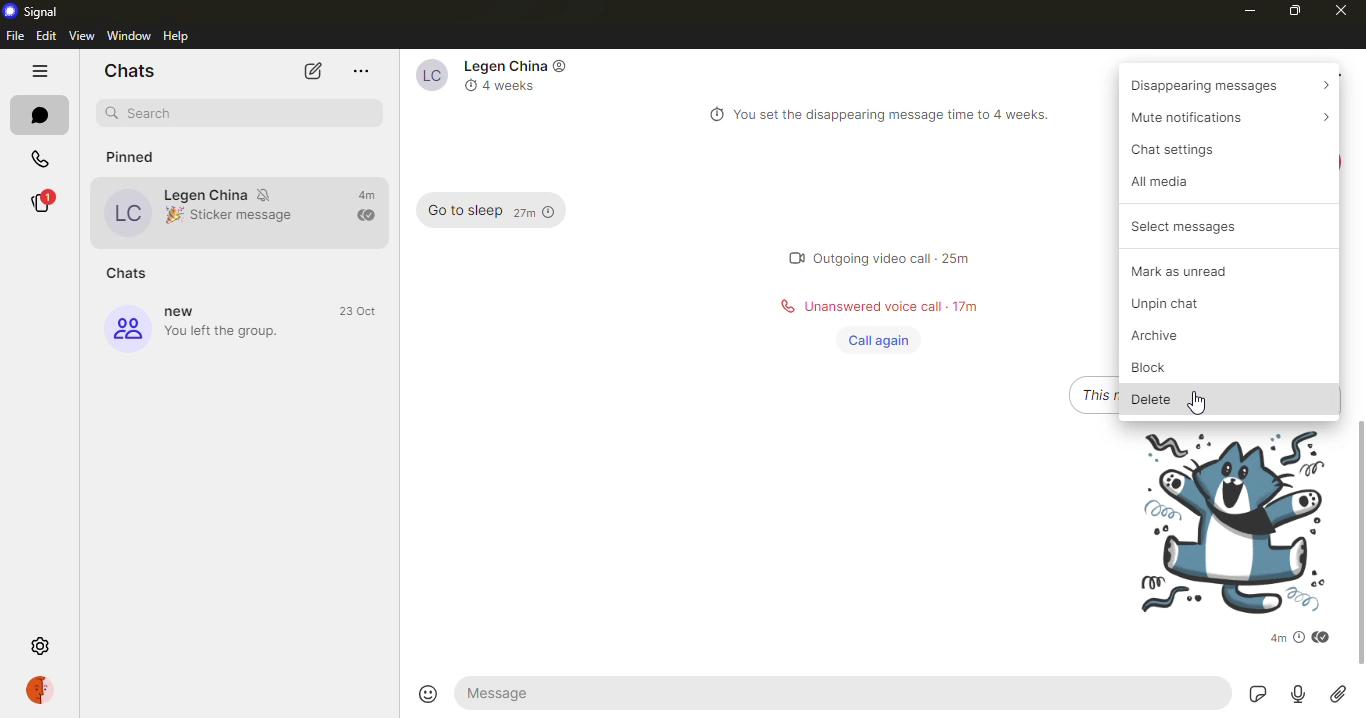 This screenshot has height=718, width=1366. I want to click on file, so click(16, 36).